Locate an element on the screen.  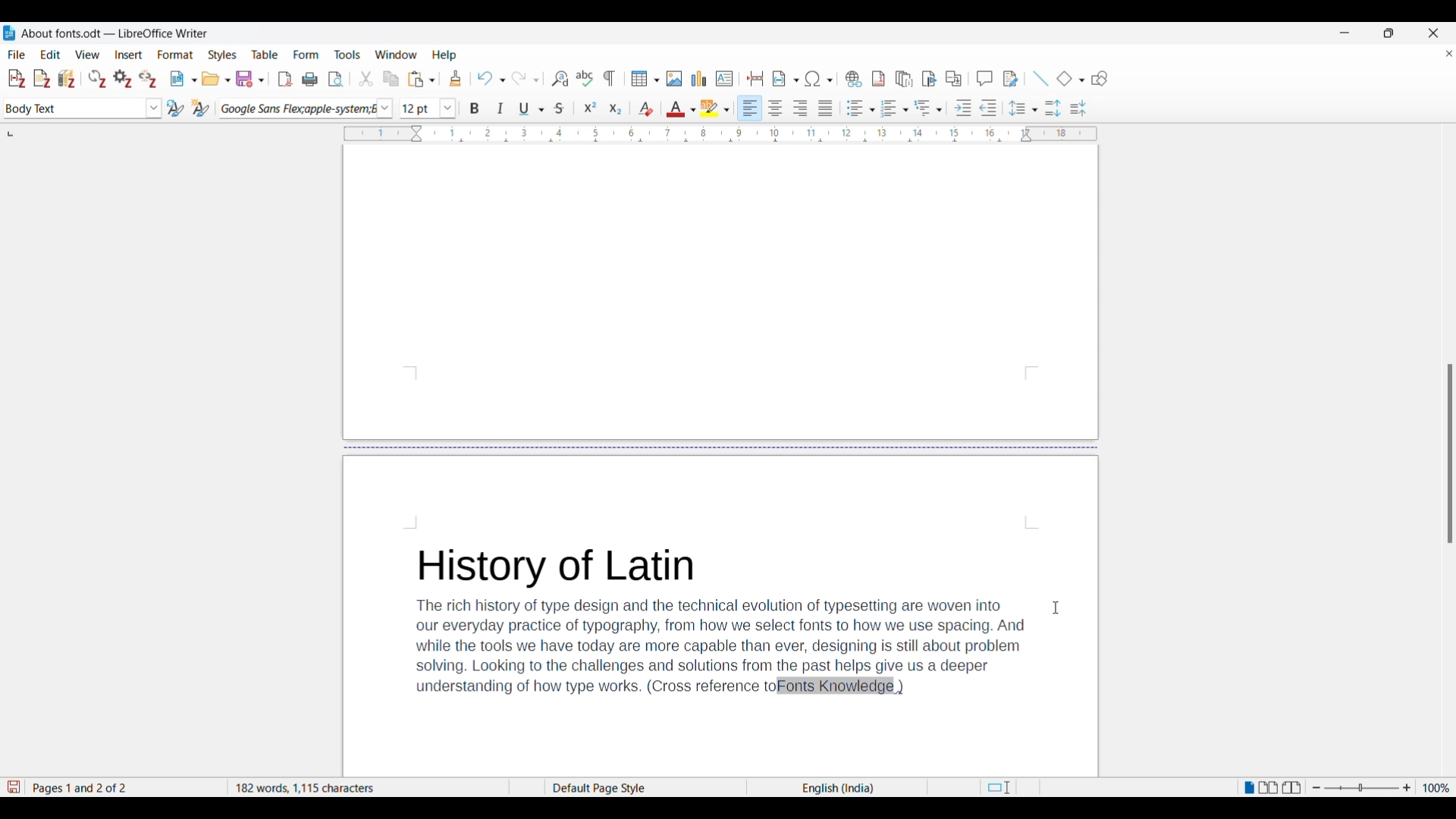
Strike through is located at coordinates (560, 108).